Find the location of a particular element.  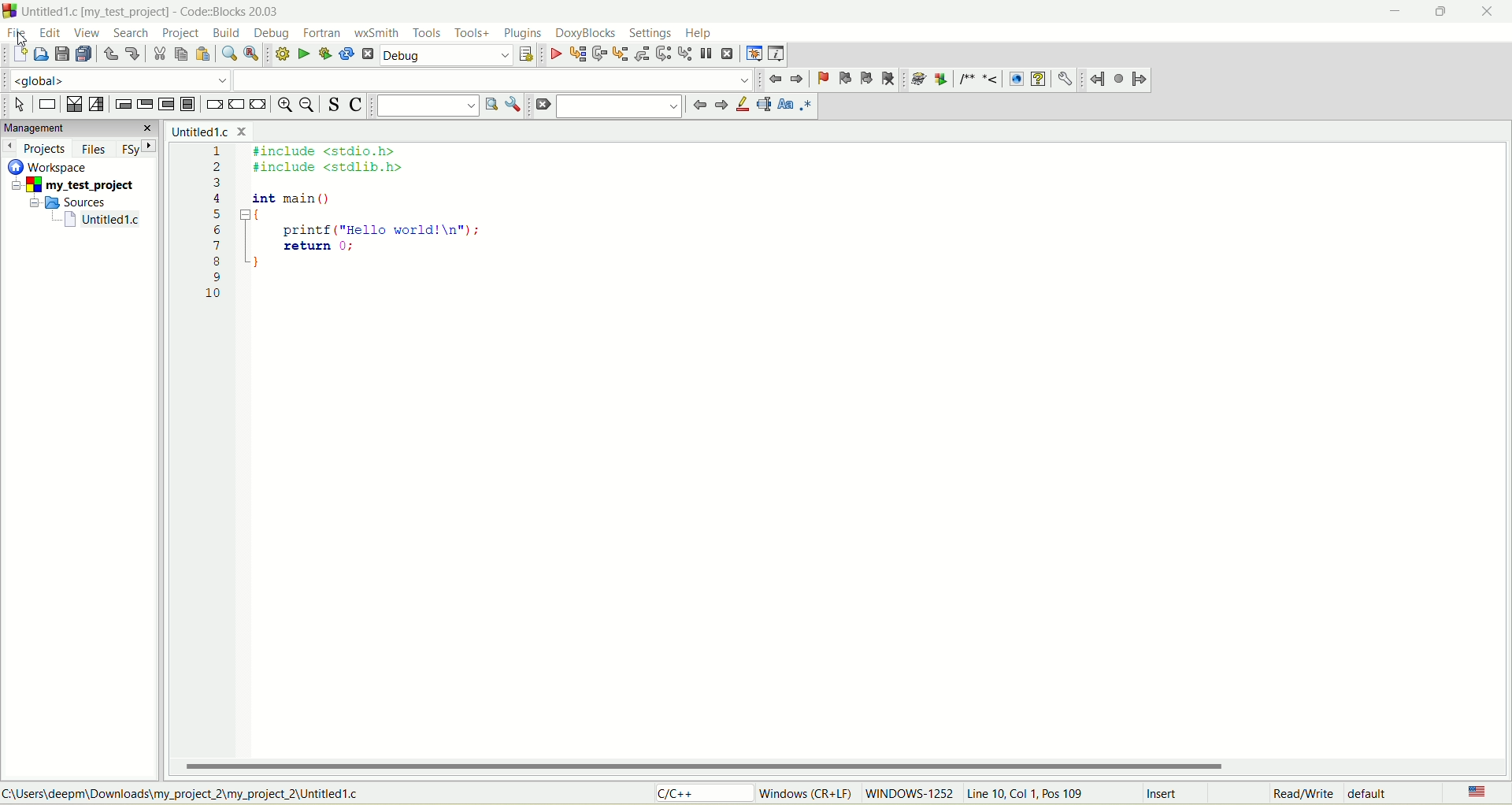

exit condition loop is located at coordinates (145, 105).